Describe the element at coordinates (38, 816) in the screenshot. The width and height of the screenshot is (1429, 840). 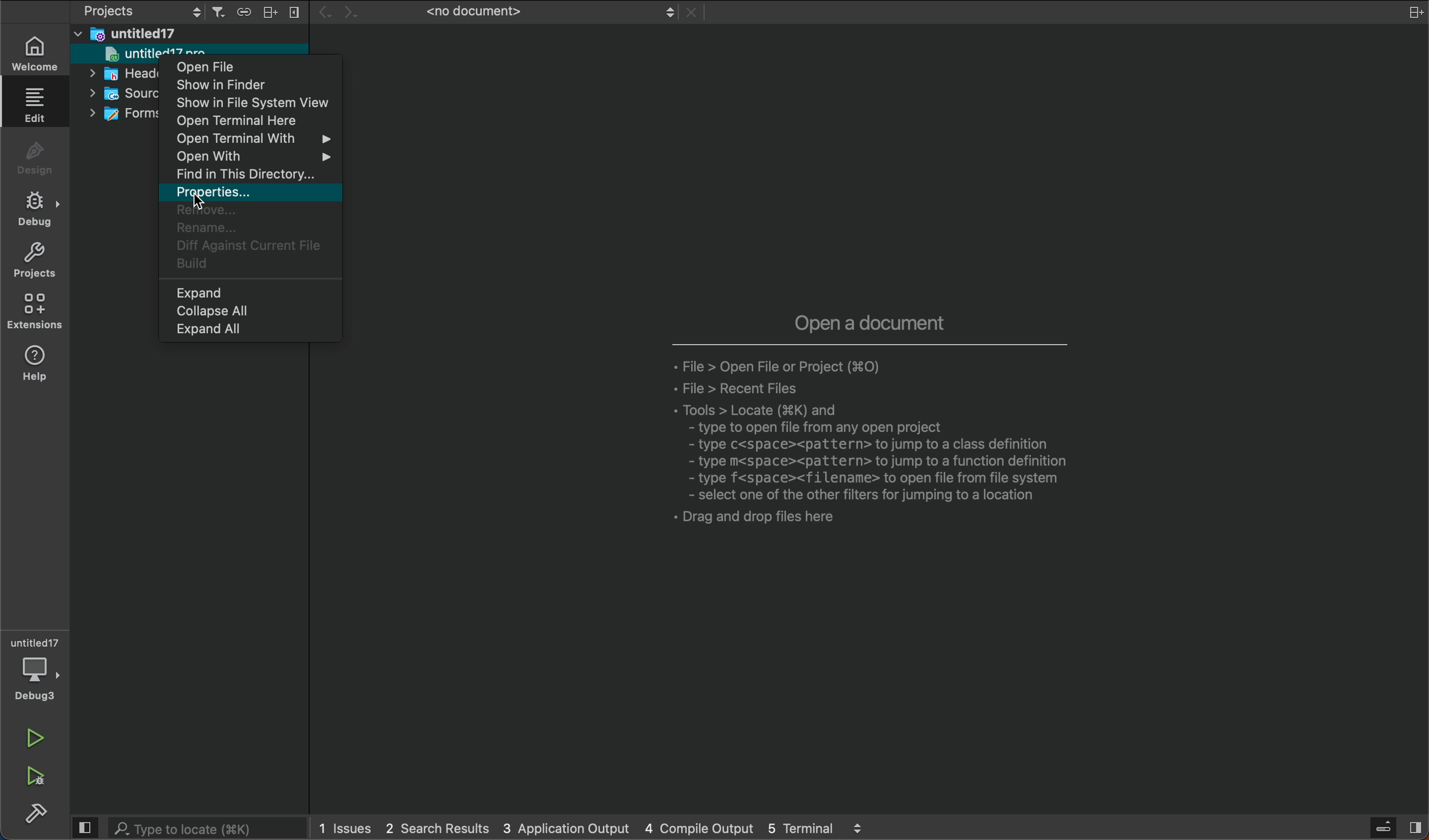
I see `build` at that location.